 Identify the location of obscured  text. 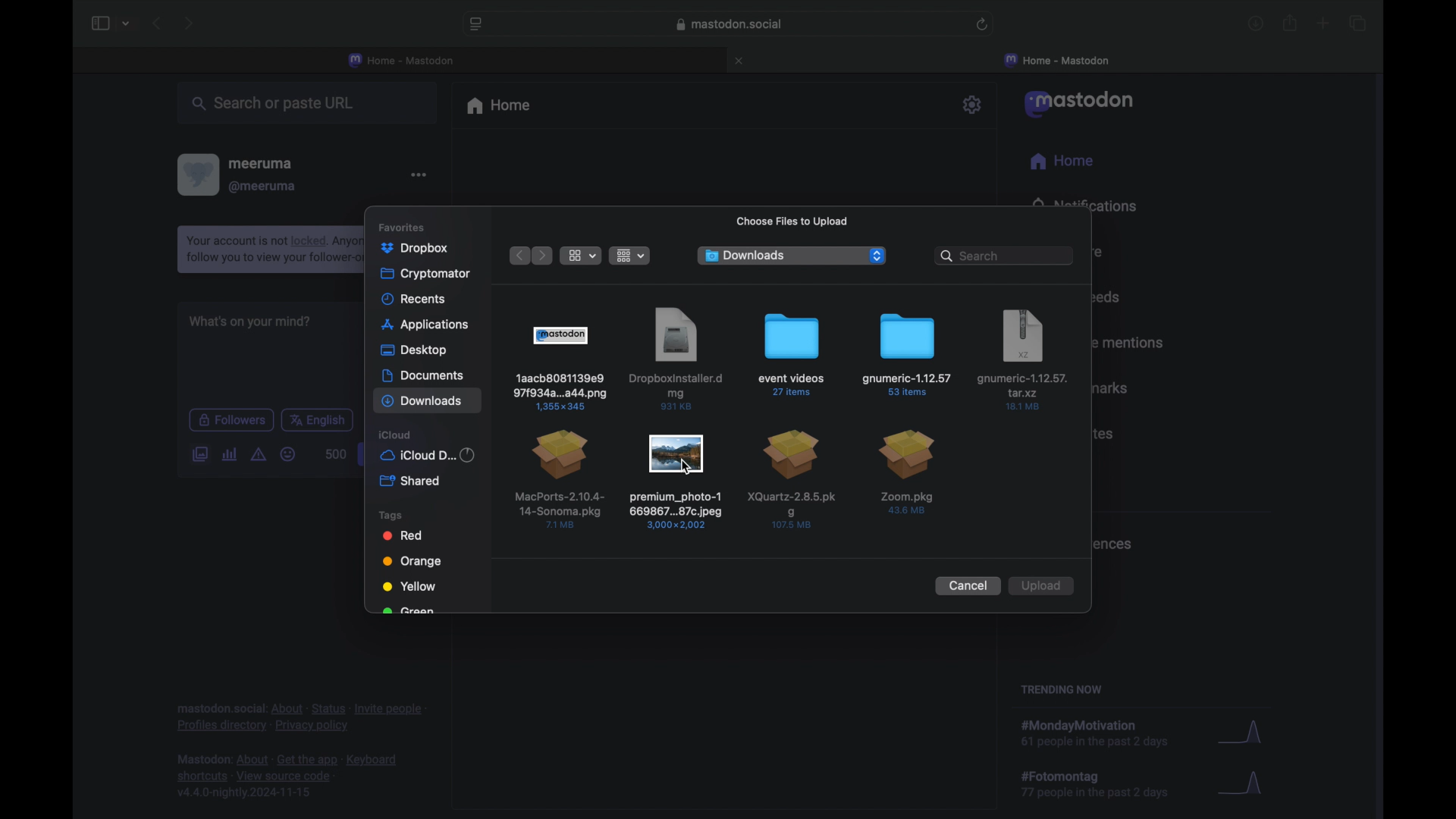
(409, 611).